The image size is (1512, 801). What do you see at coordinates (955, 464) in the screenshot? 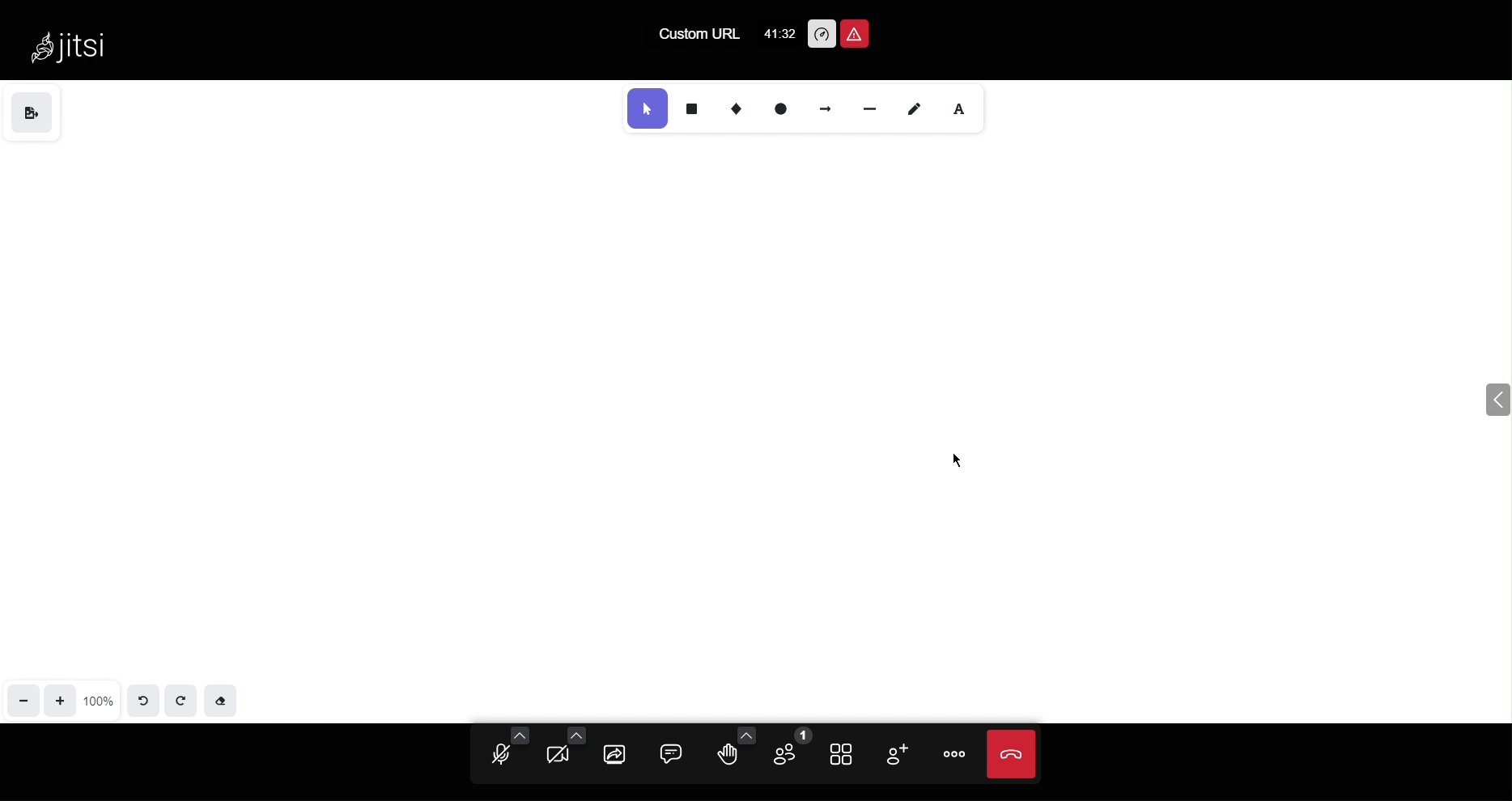
I see `Cursor` at bounding box center [955, 464].